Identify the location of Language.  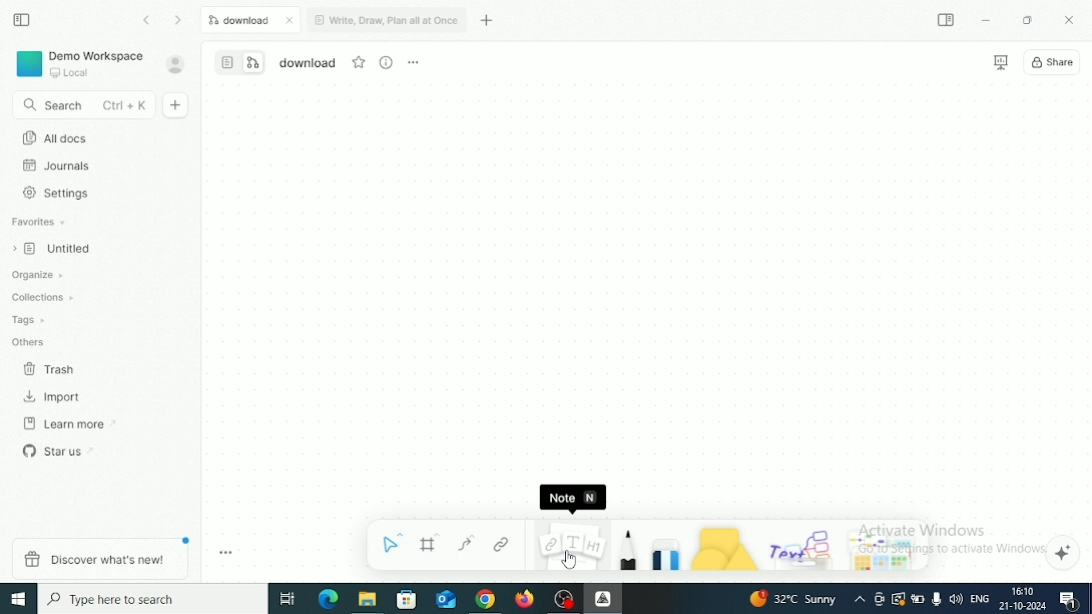
(980, 597).